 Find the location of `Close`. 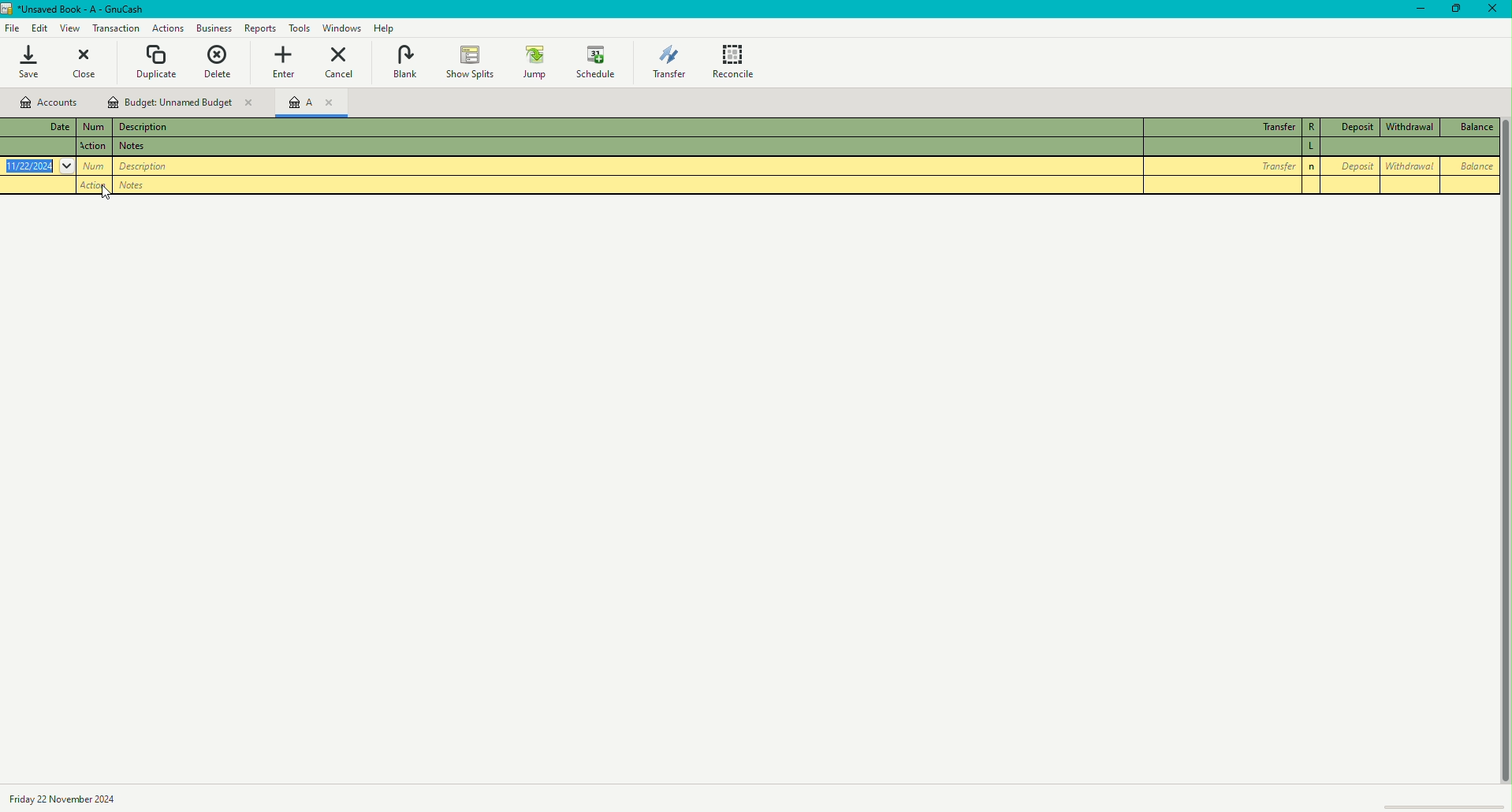

Close is located at coordinates (93, 65).